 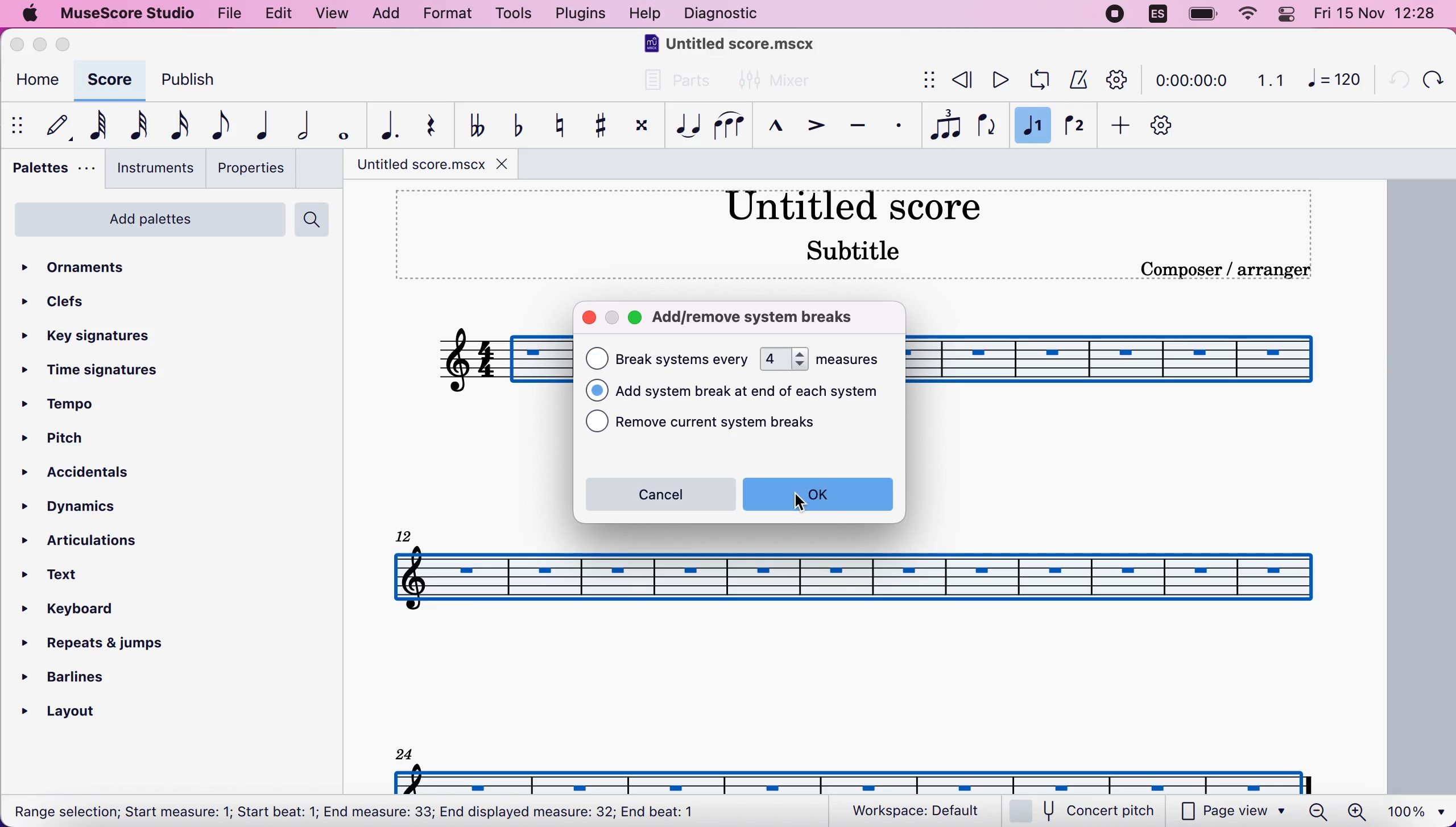 What do you see at coordinates (599, 126) in the screenshot?
I see `toggle sharp` at bounding box center [599, 126].